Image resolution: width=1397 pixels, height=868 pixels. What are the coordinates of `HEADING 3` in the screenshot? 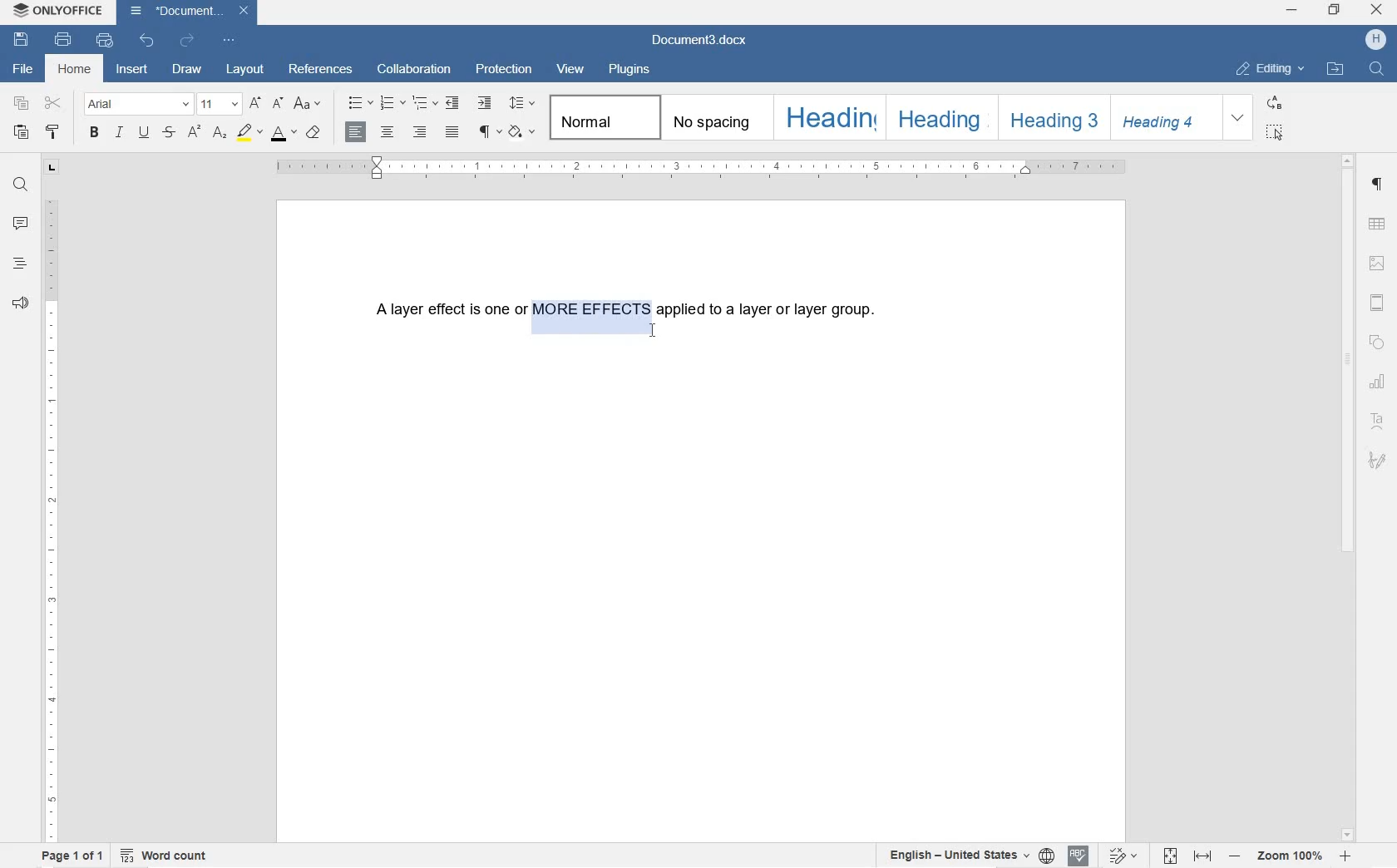 It's located at (1052, 118).